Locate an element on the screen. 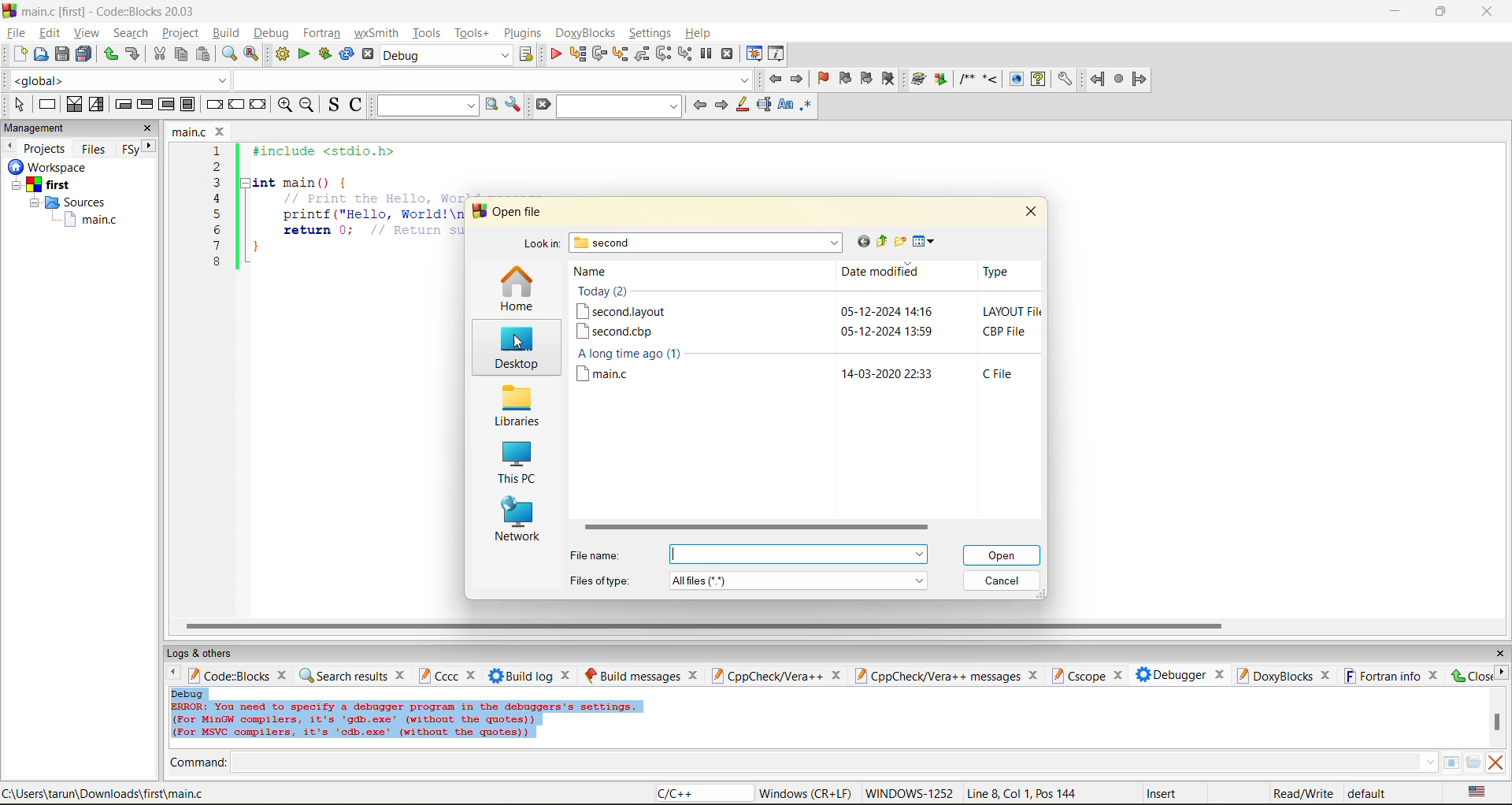 Image resolution: width=1512 pixels, height=805 pixels. close is located at coordinates (473, 676).